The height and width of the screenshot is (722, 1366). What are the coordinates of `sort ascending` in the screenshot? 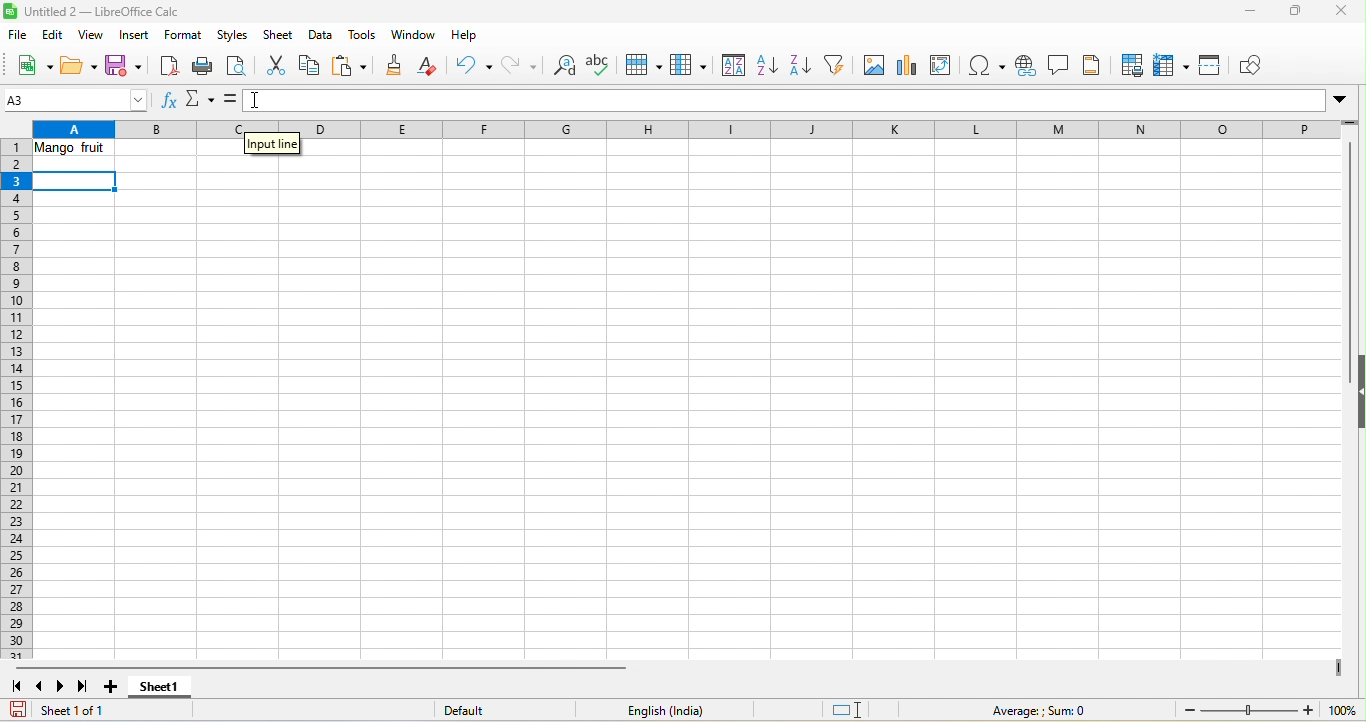 It's located at (769, 65).